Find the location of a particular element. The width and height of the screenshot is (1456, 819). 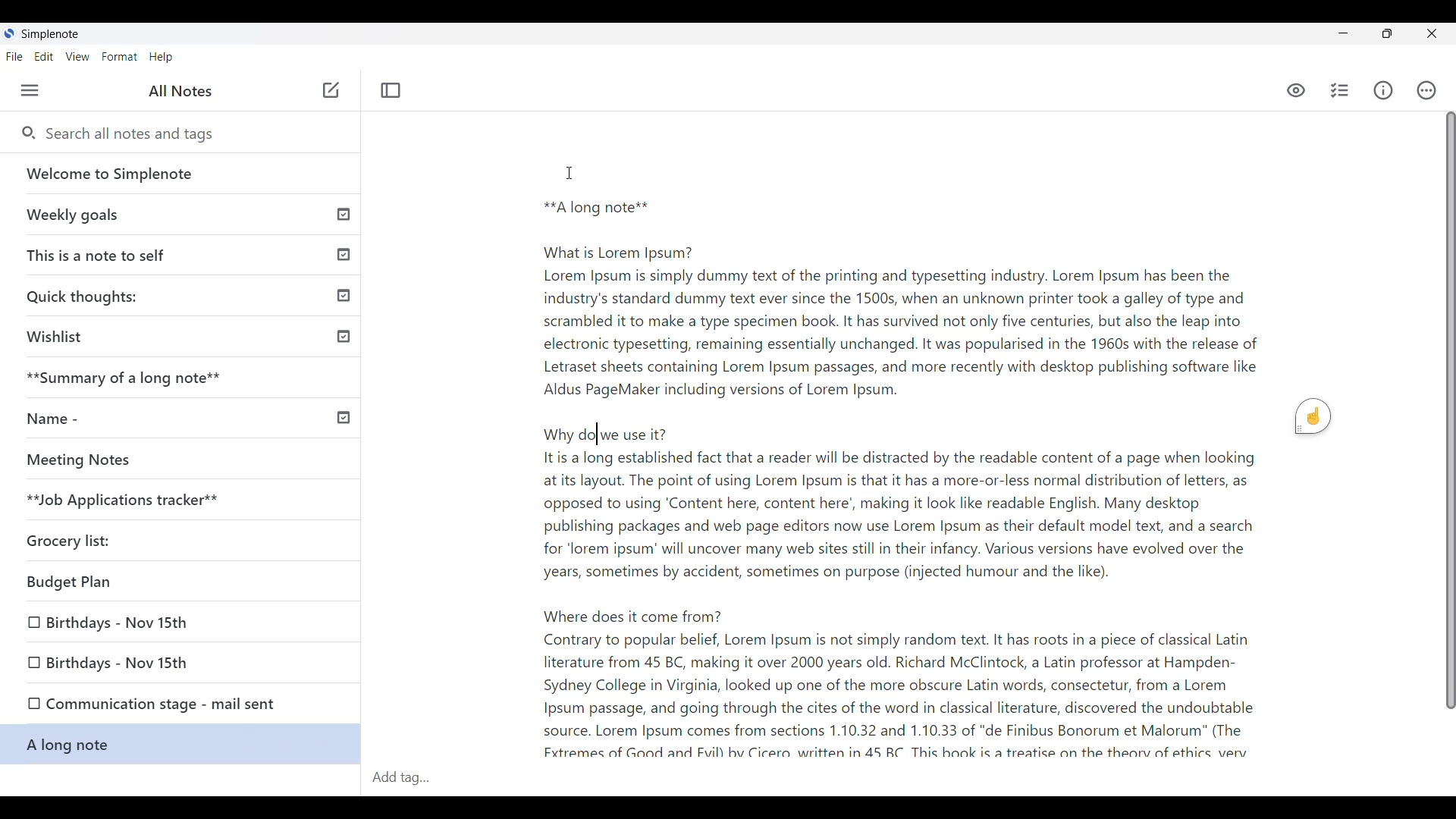

Quick thoughts: is located at coordinates (187, 295).